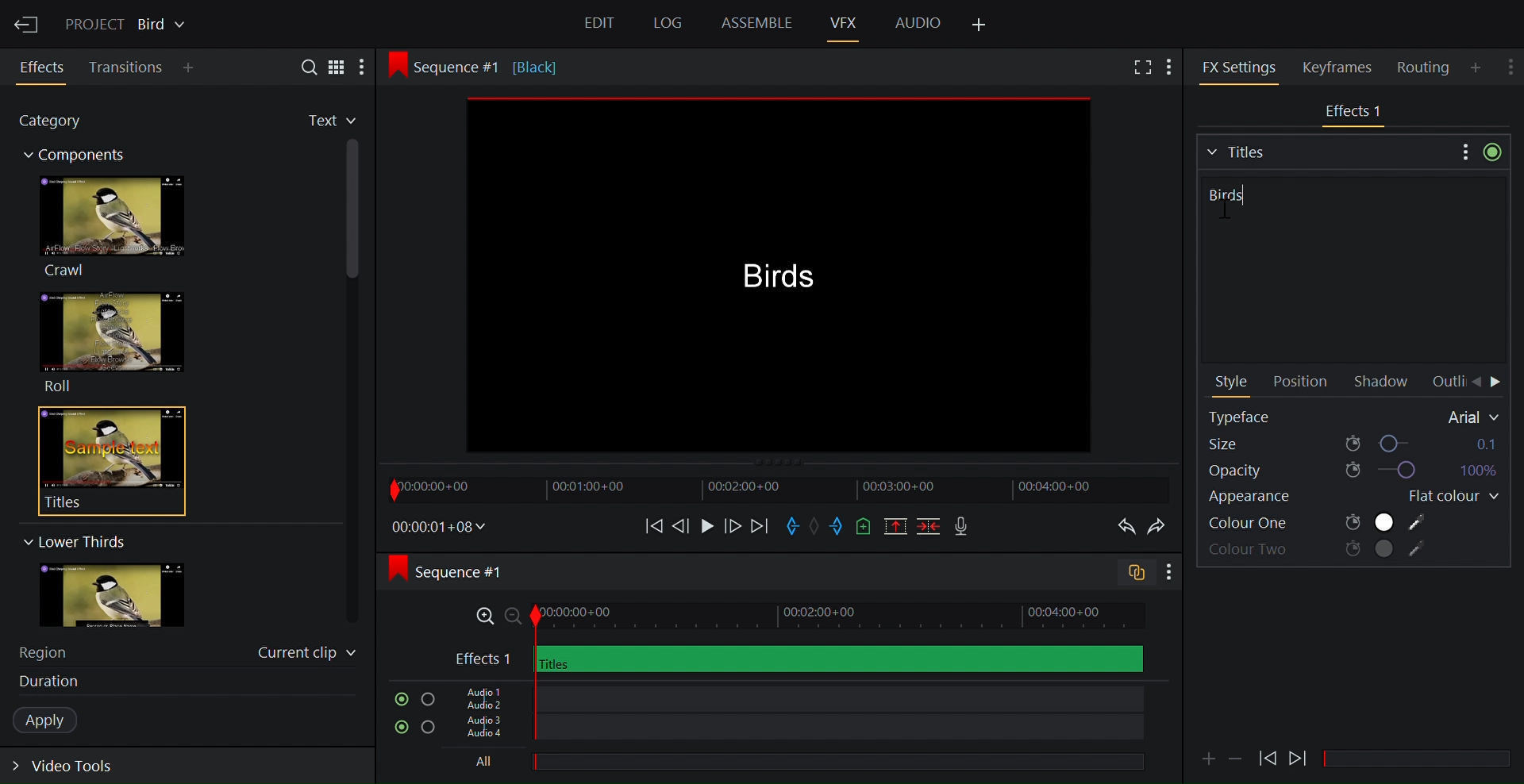 This screenshot has width=1524, height=784. Describe the element at coordinates (1130, 575) in the screenshot. I see `Toggle audio trcak sync` at that location.